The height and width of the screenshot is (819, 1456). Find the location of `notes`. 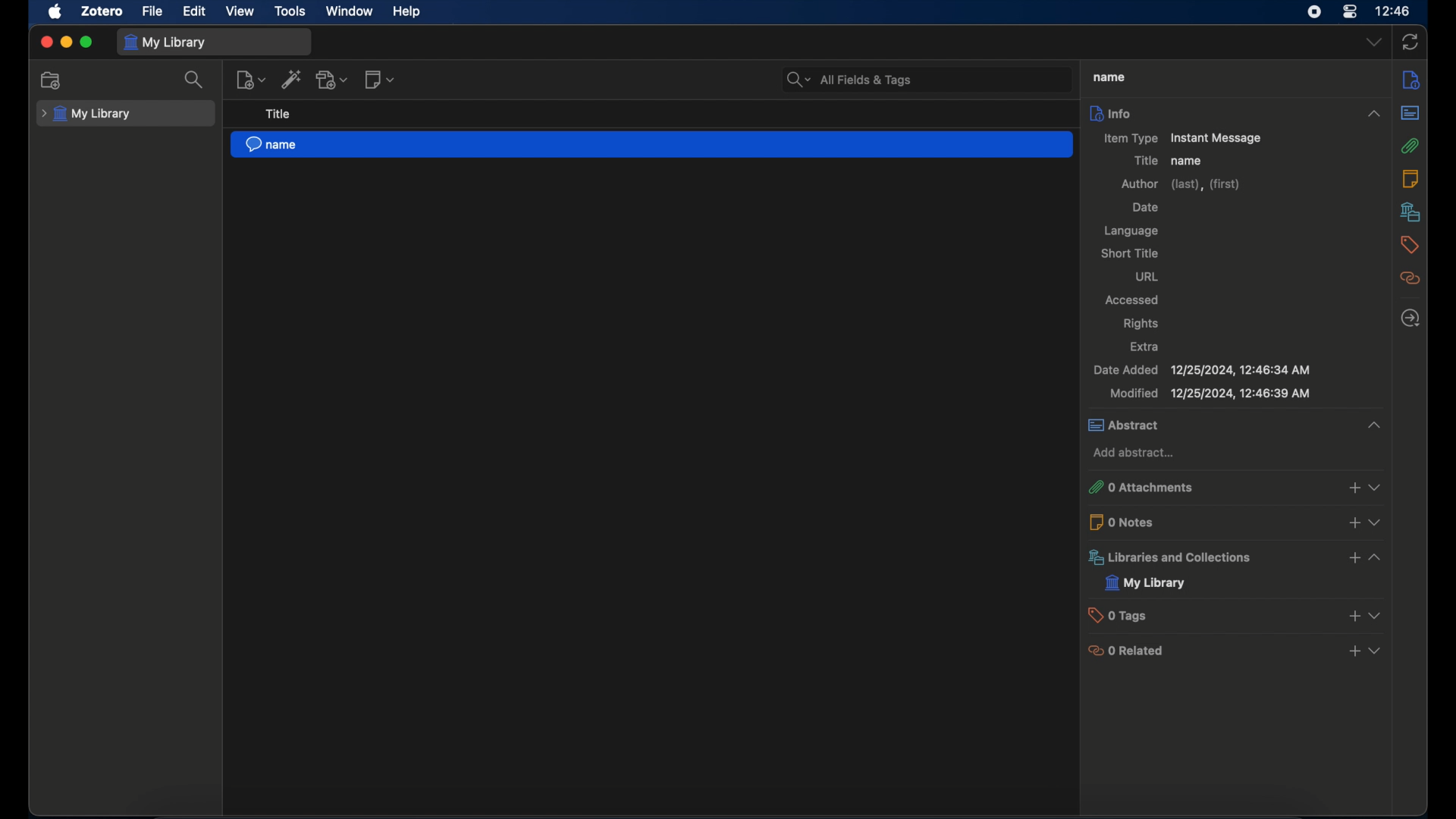

notes is located at coordinates (1414, 79).